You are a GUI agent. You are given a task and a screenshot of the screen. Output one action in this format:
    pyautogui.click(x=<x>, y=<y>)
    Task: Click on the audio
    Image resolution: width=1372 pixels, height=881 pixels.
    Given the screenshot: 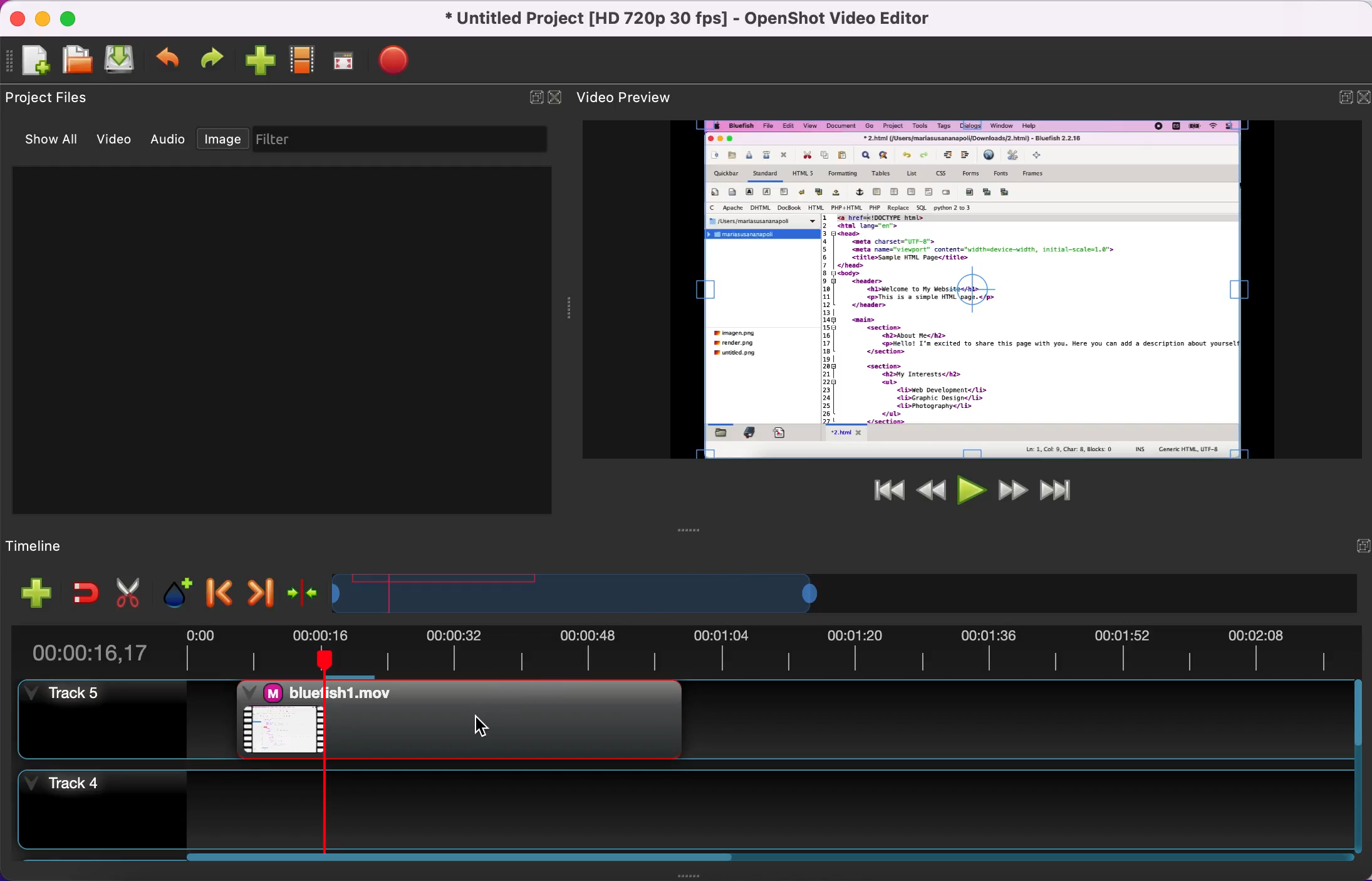 What is the action you would take?
    pyautogui.click(x=172, y=141)
    